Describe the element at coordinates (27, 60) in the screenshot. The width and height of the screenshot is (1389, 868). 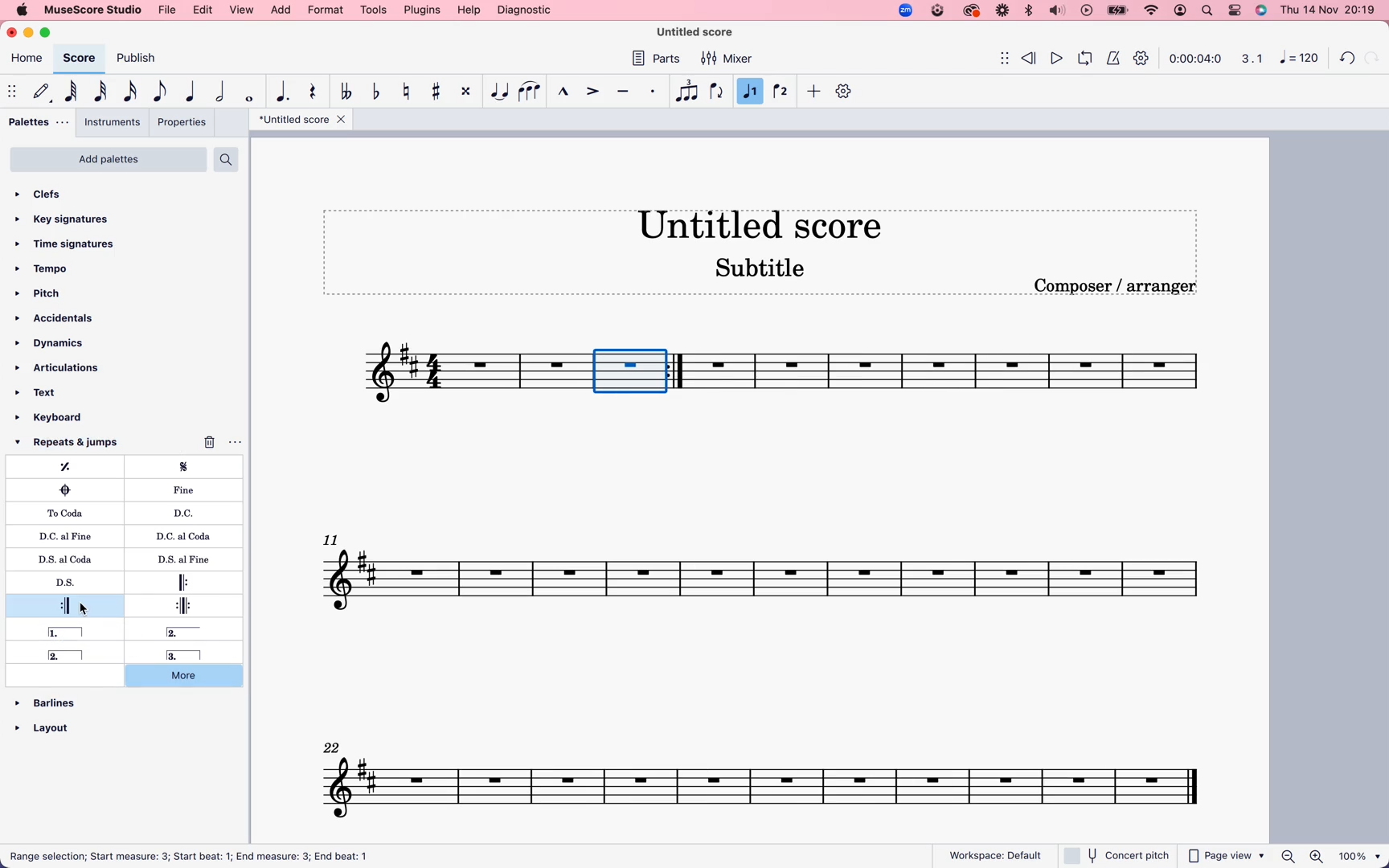
I see `home` at that location.